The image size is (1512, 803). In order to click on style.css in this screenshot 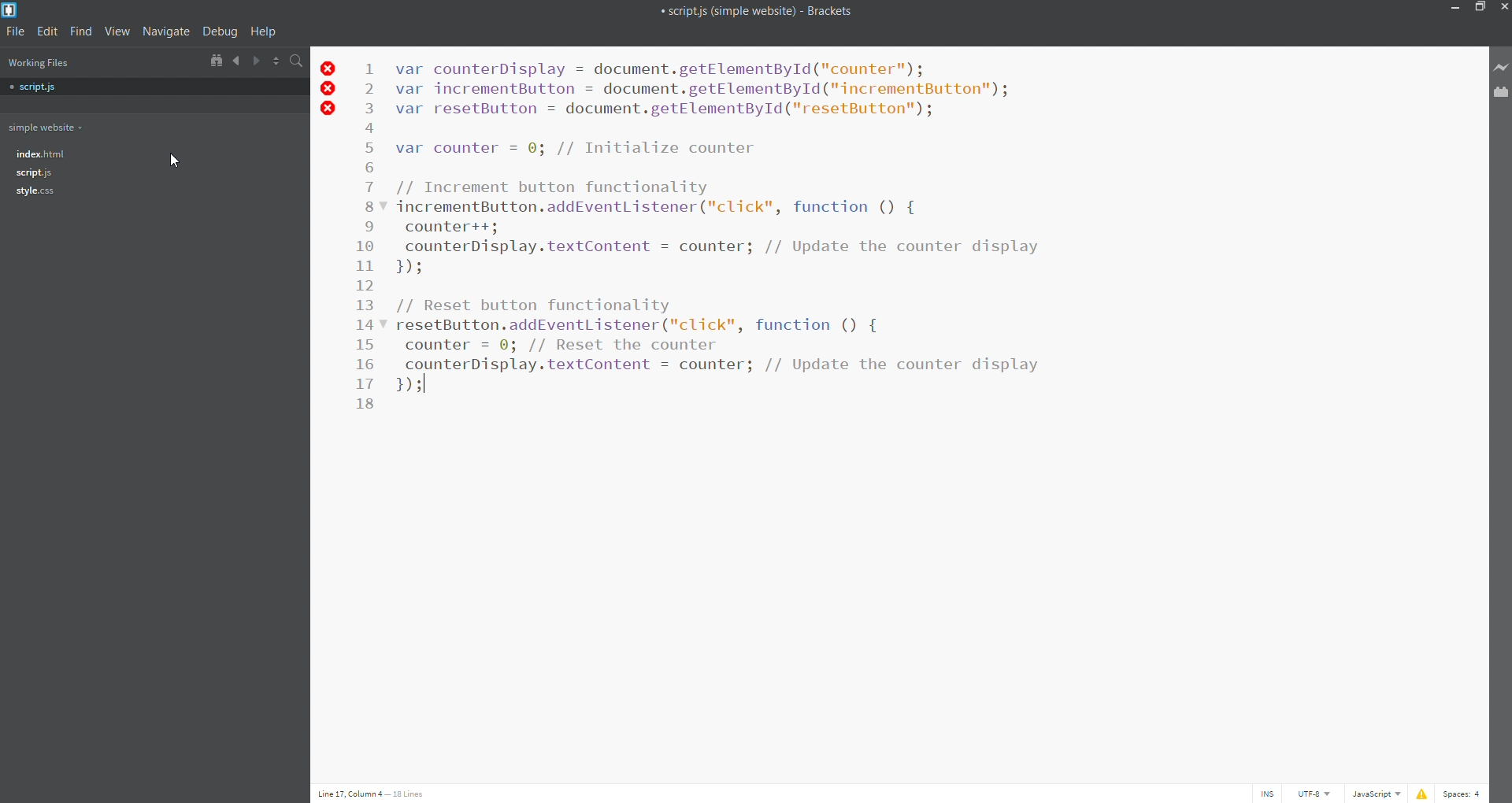, I will do `click(36, 192)`.